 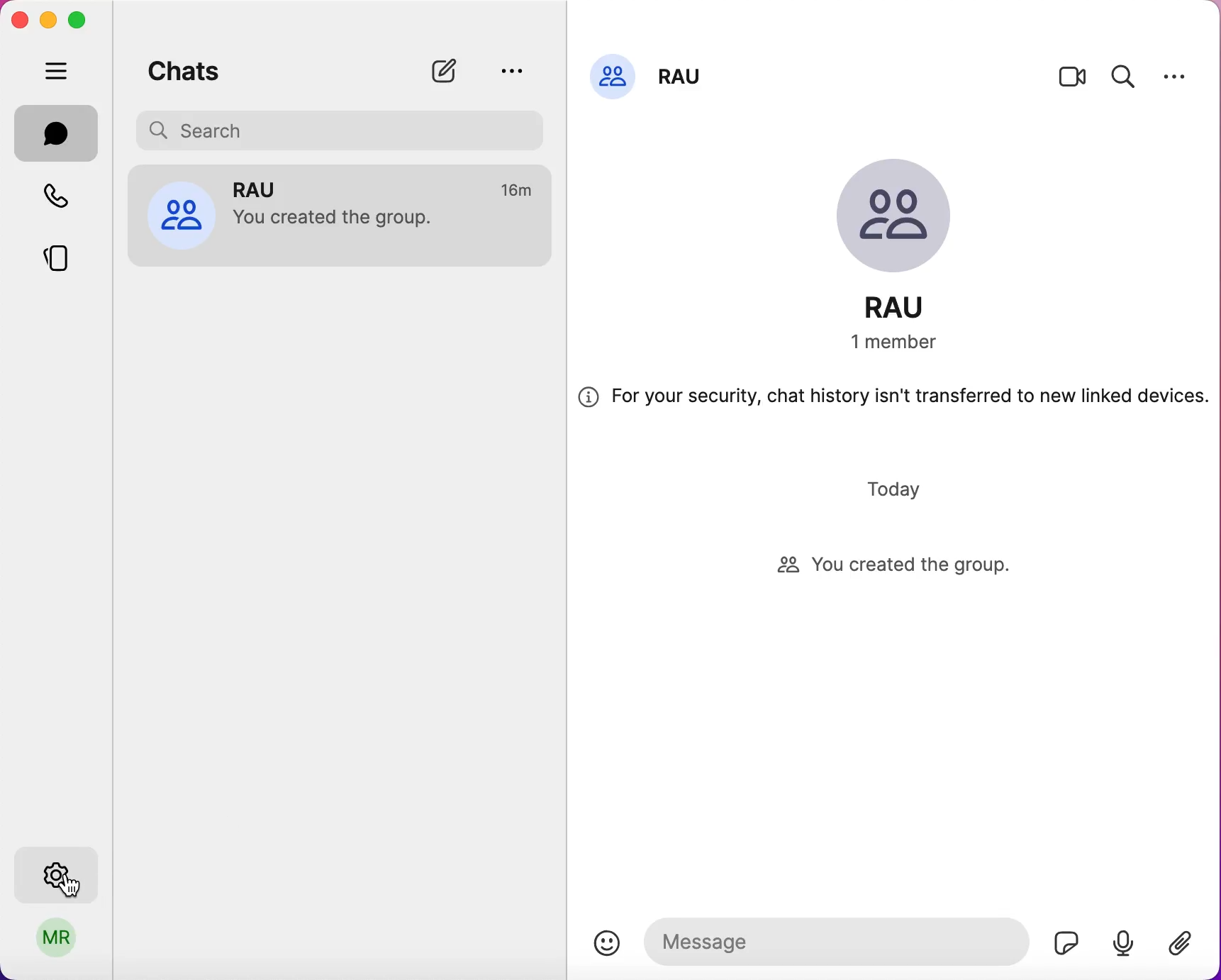 I want to click on sticker, so click(x=1061, y=939).